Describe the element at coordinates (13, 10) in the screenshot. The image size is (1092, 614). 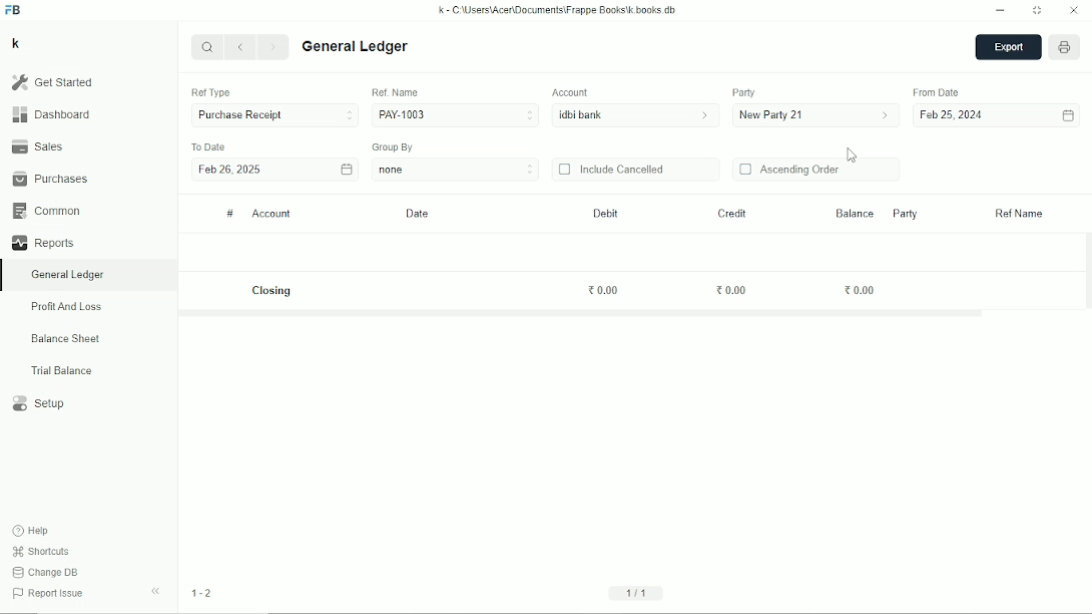
I see `FB` at that location.